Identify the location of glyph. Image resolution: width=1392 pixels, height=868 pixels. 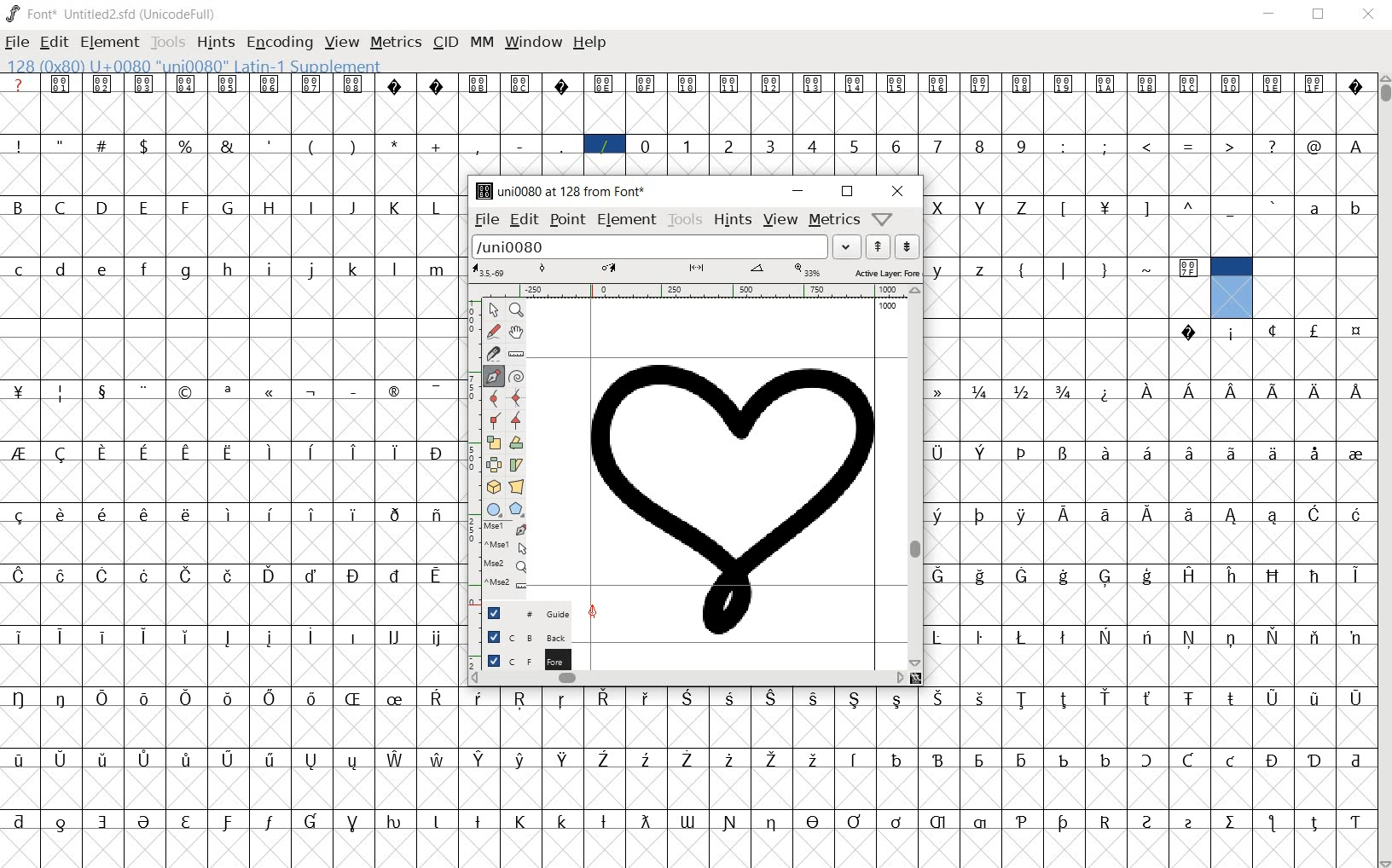
(269, 638).